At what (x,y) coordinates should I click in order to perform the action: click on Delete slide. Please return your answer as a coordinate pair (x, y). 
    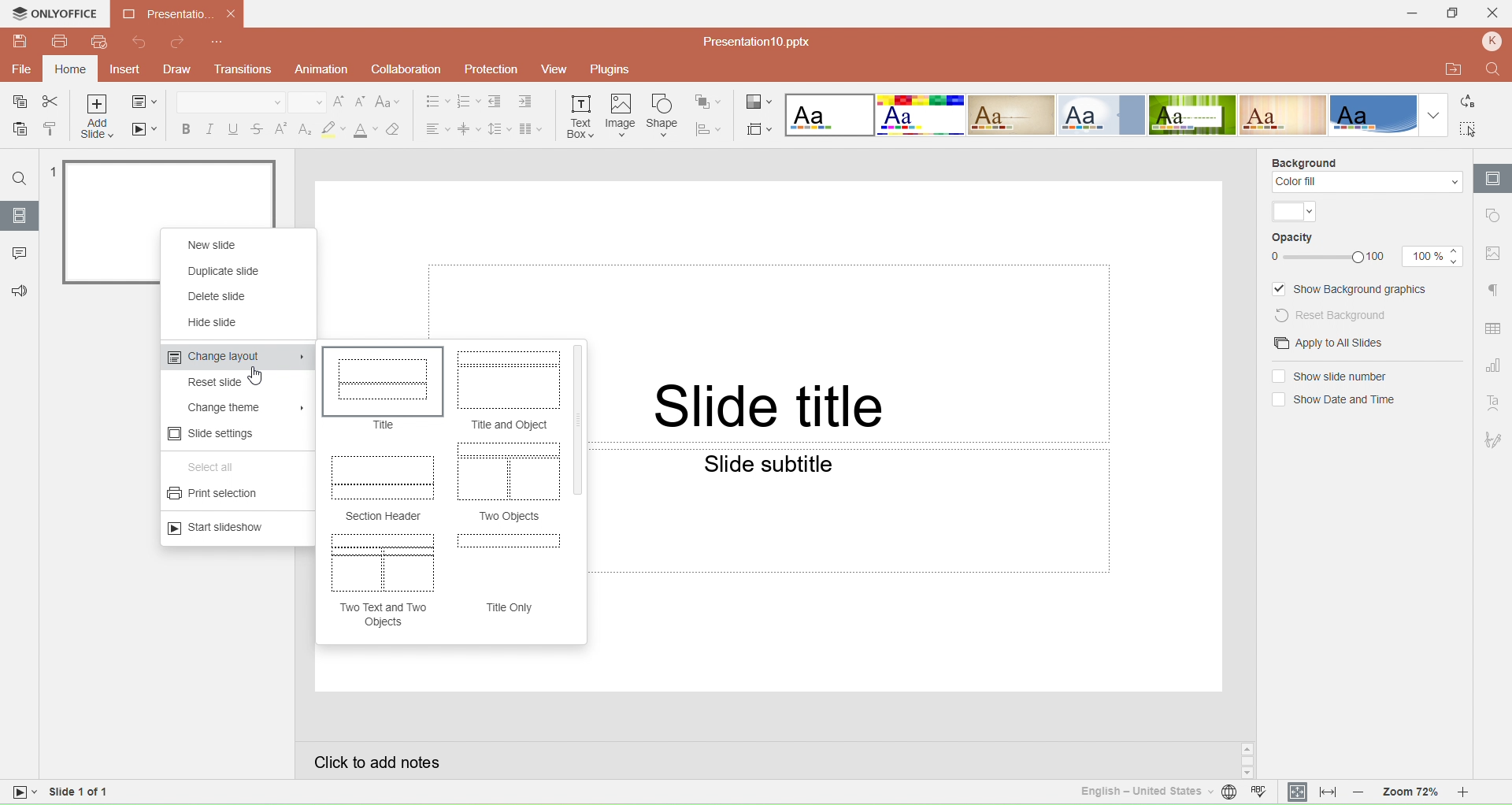
    Looking at the image, I should click on (227, 296).